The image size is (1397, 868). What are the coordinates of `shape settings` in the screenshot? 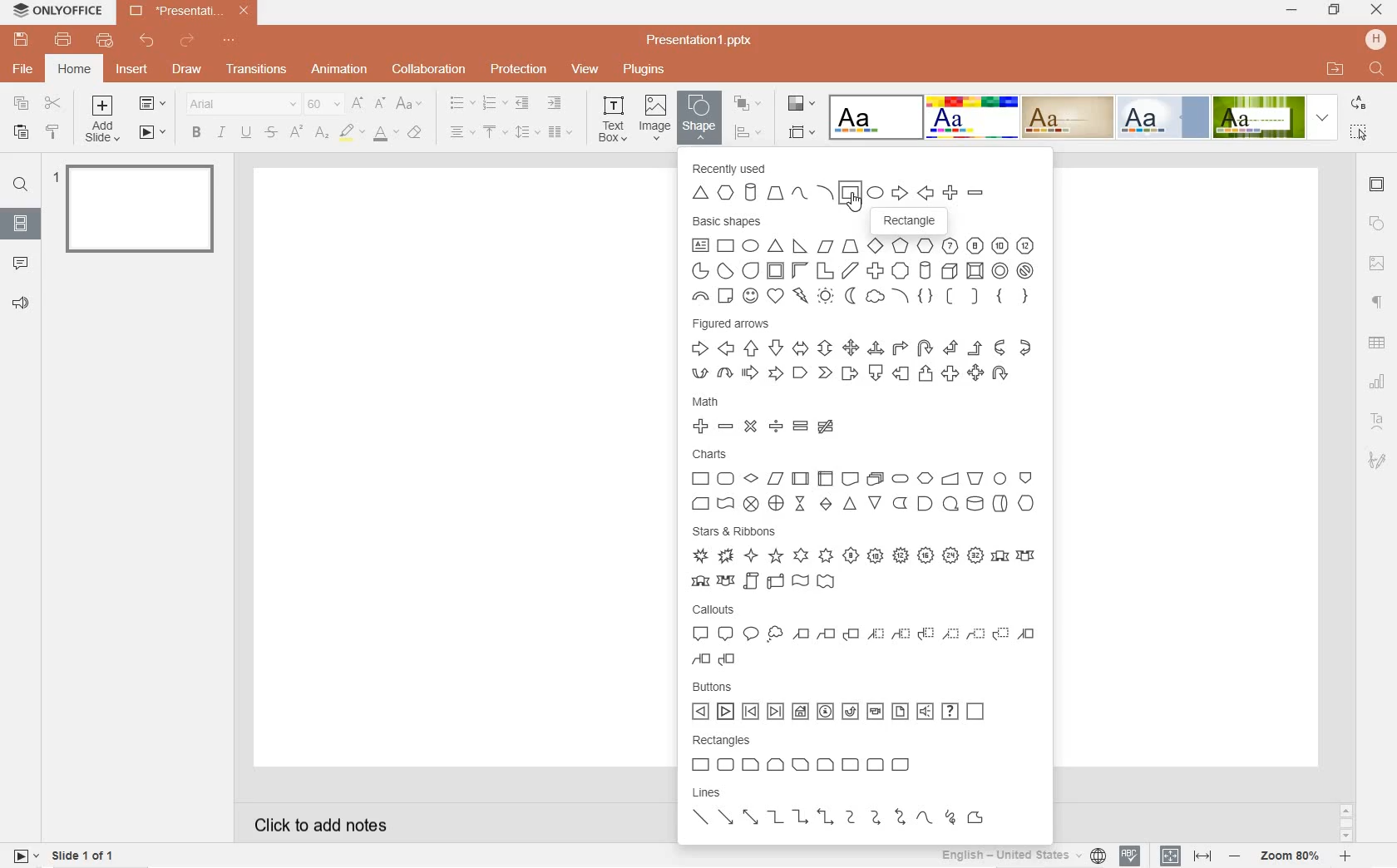 It's located at (1377, 224).